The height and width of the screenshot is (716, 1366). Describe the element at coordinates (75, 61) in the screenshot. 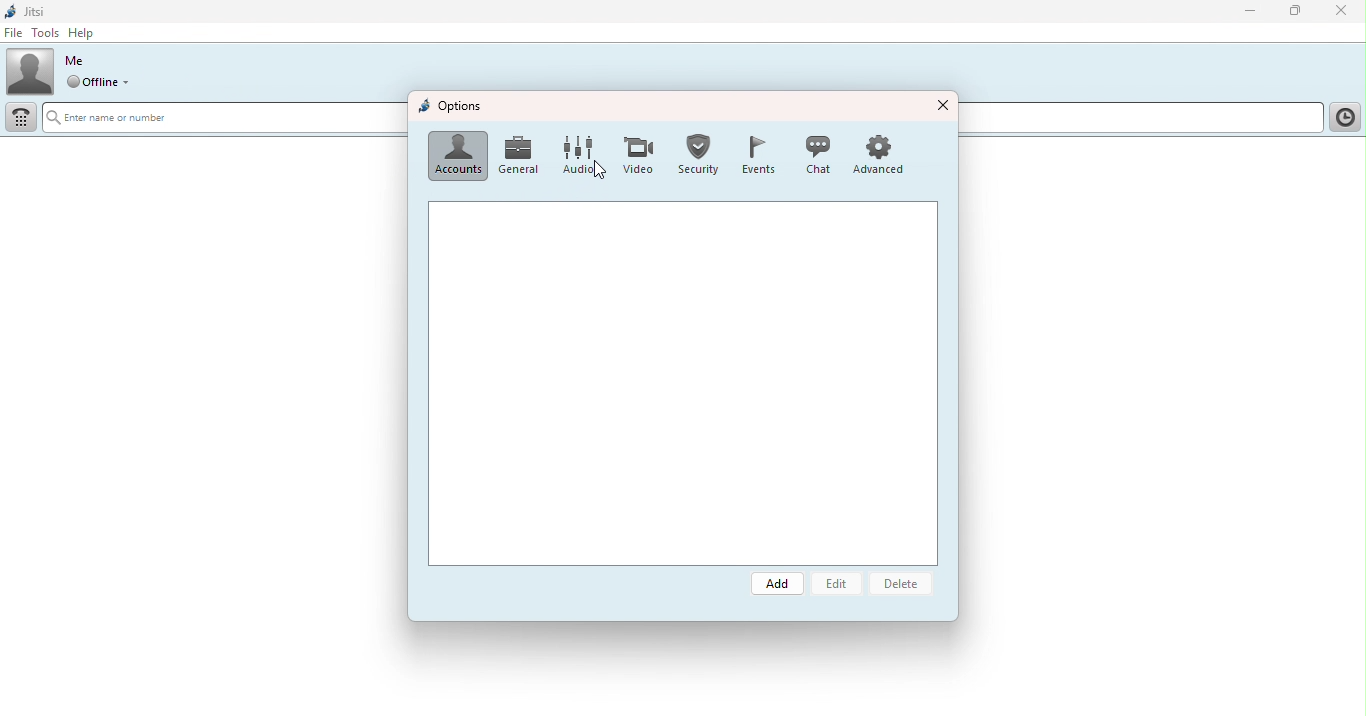

I see `Me` at that location.